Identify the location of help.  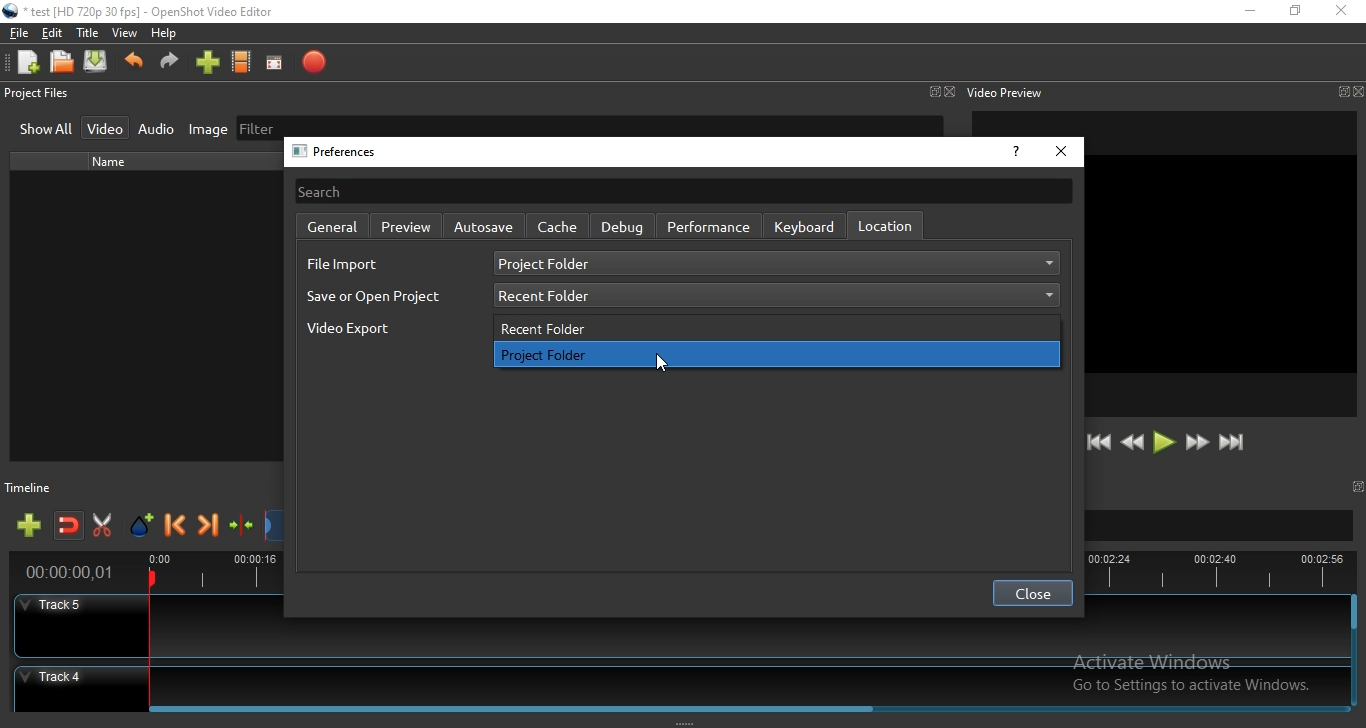
(1014, 154).